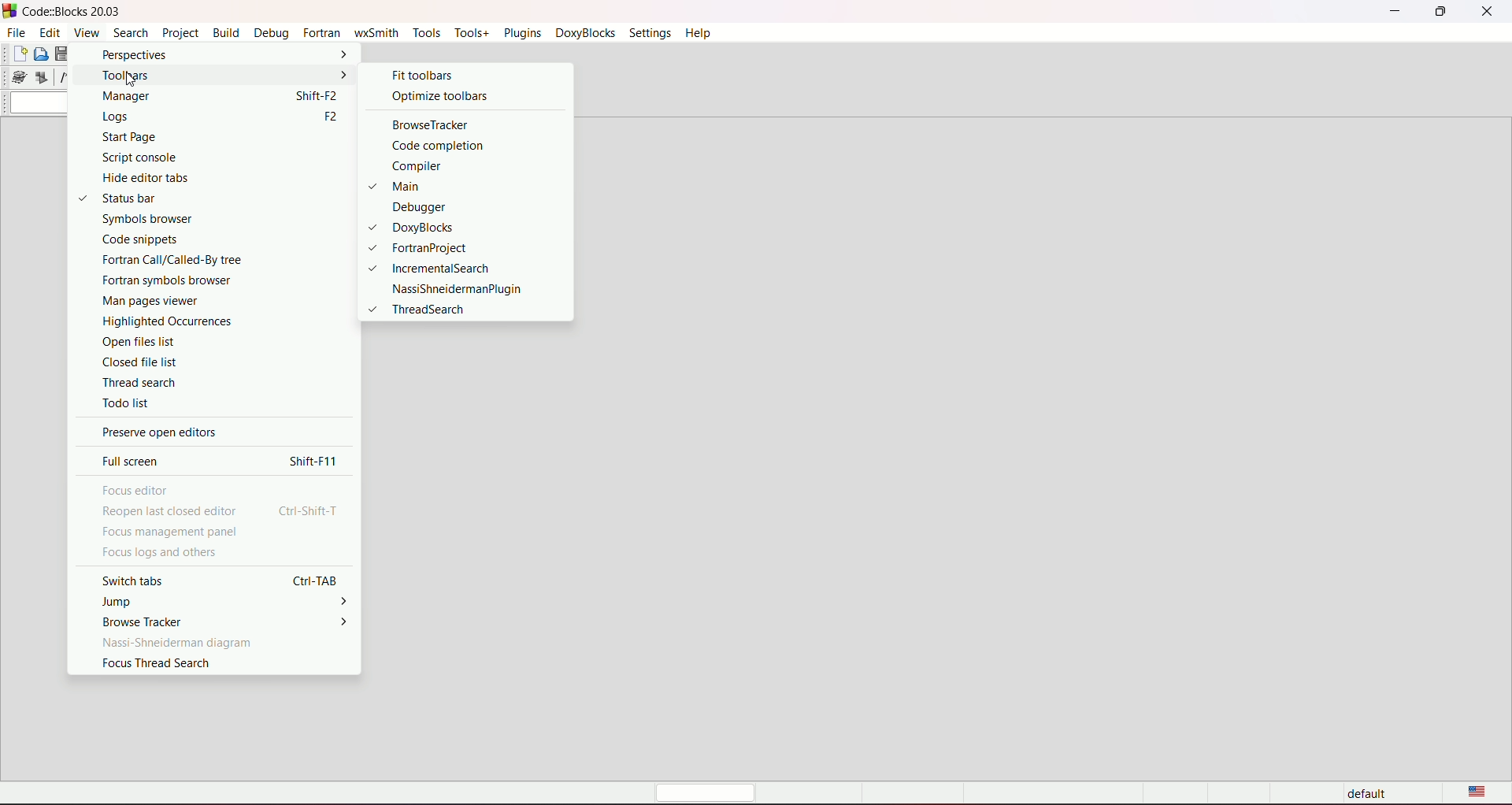  I want to click on browse tracker, so click(428, 126).